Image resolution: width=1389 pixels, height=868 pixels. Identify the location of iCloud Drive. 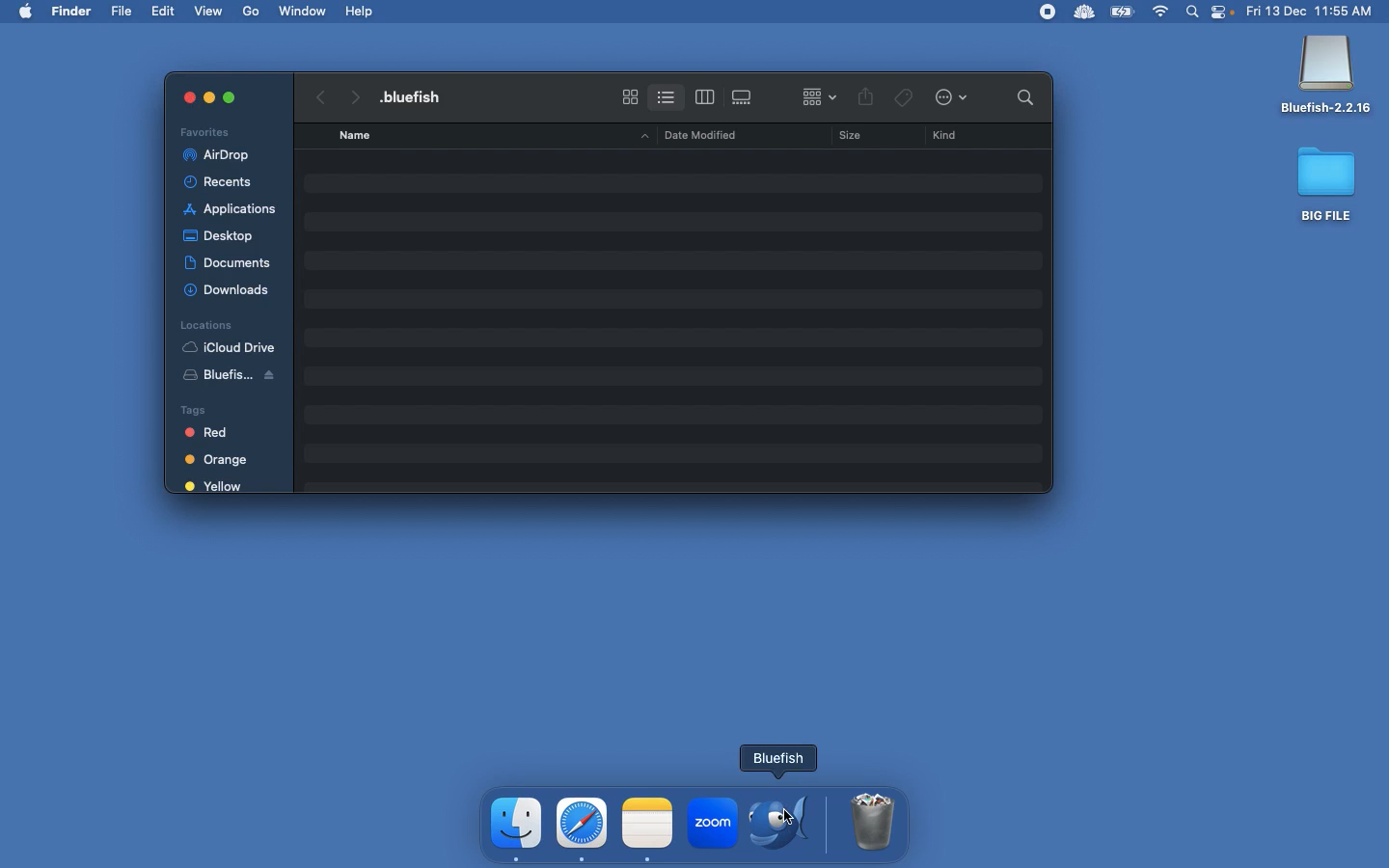
(229, 347).